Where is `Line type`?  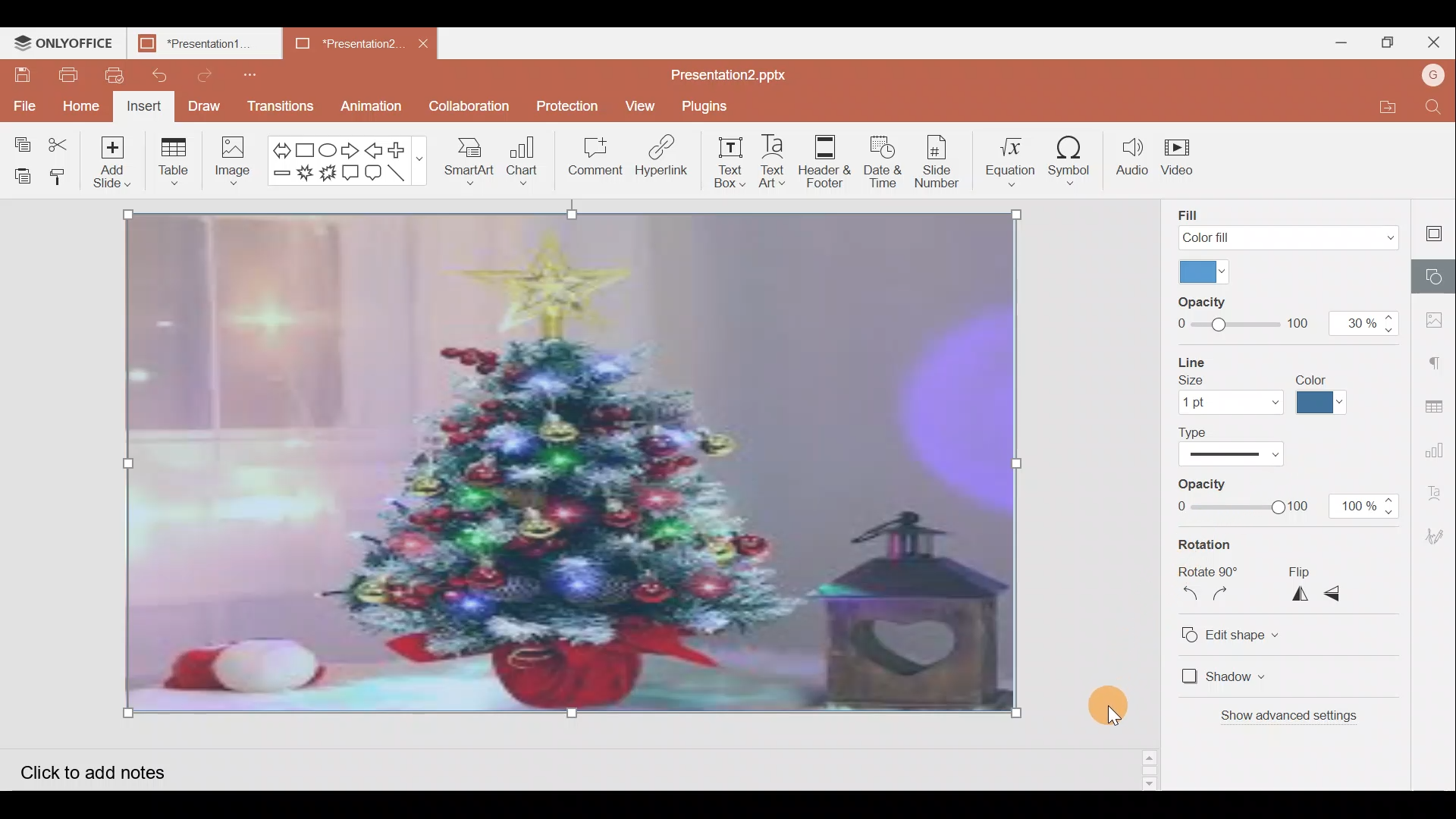
Line type is located at coordinates (1239, 447).